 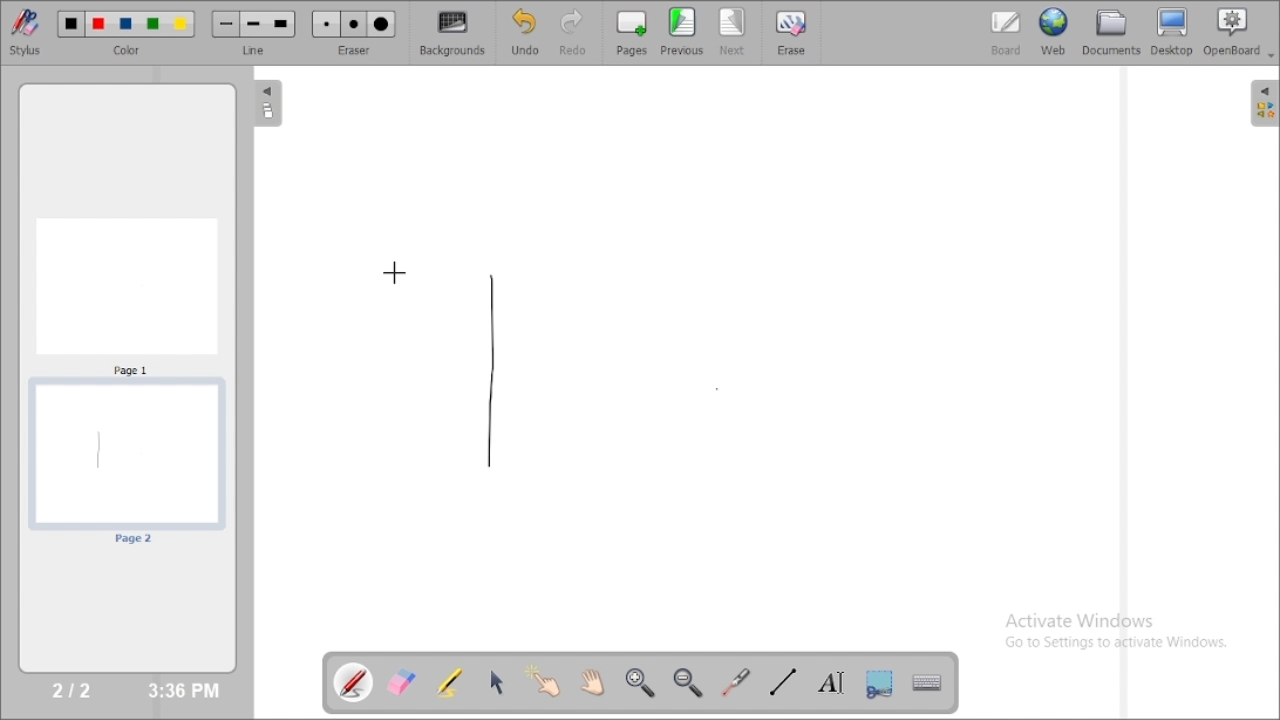 I want to click on previous, so click(x=682, y=31).